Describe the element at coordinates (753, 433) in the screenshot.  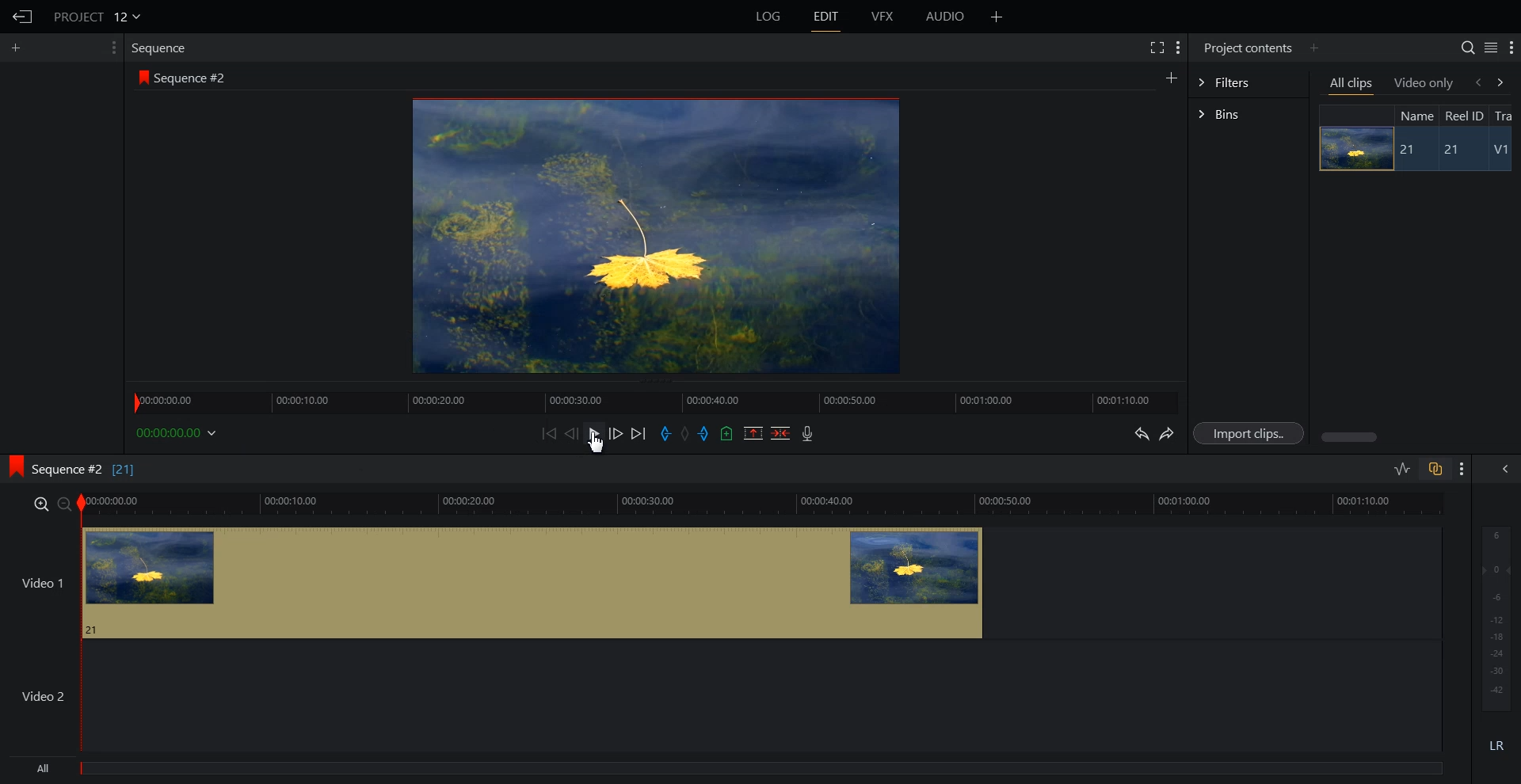
I see `Remove Mark Section` at that location.